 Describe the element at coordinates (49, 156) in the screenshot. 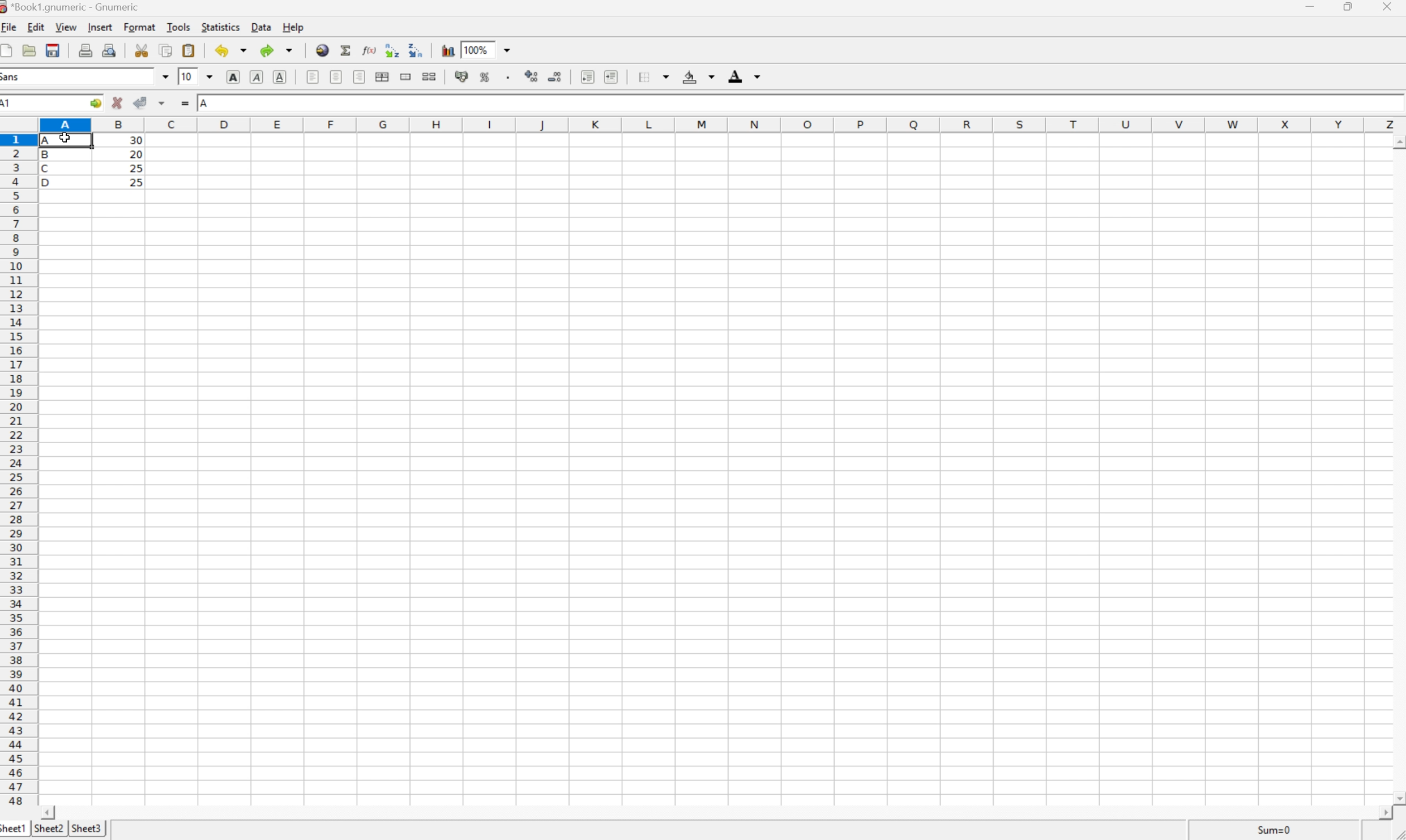

I see `B` at that location.